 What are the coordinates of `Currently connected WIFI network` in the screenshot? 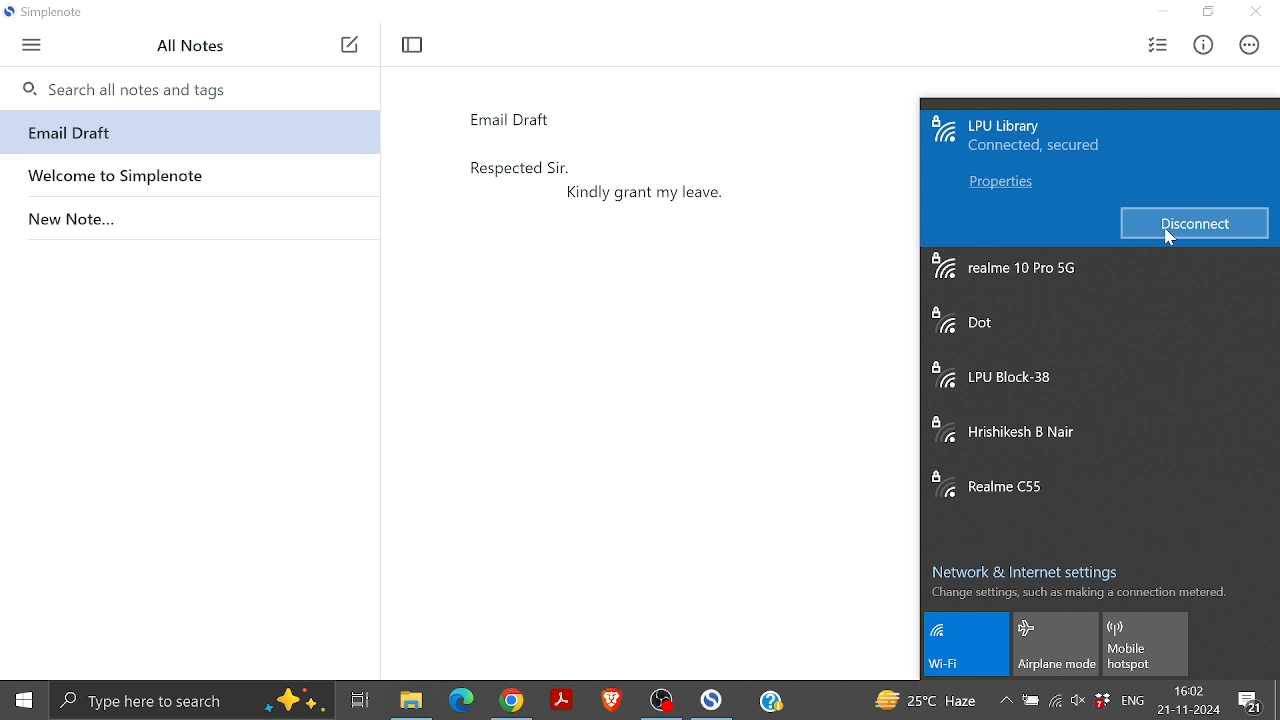 It's located at (1042, 139).